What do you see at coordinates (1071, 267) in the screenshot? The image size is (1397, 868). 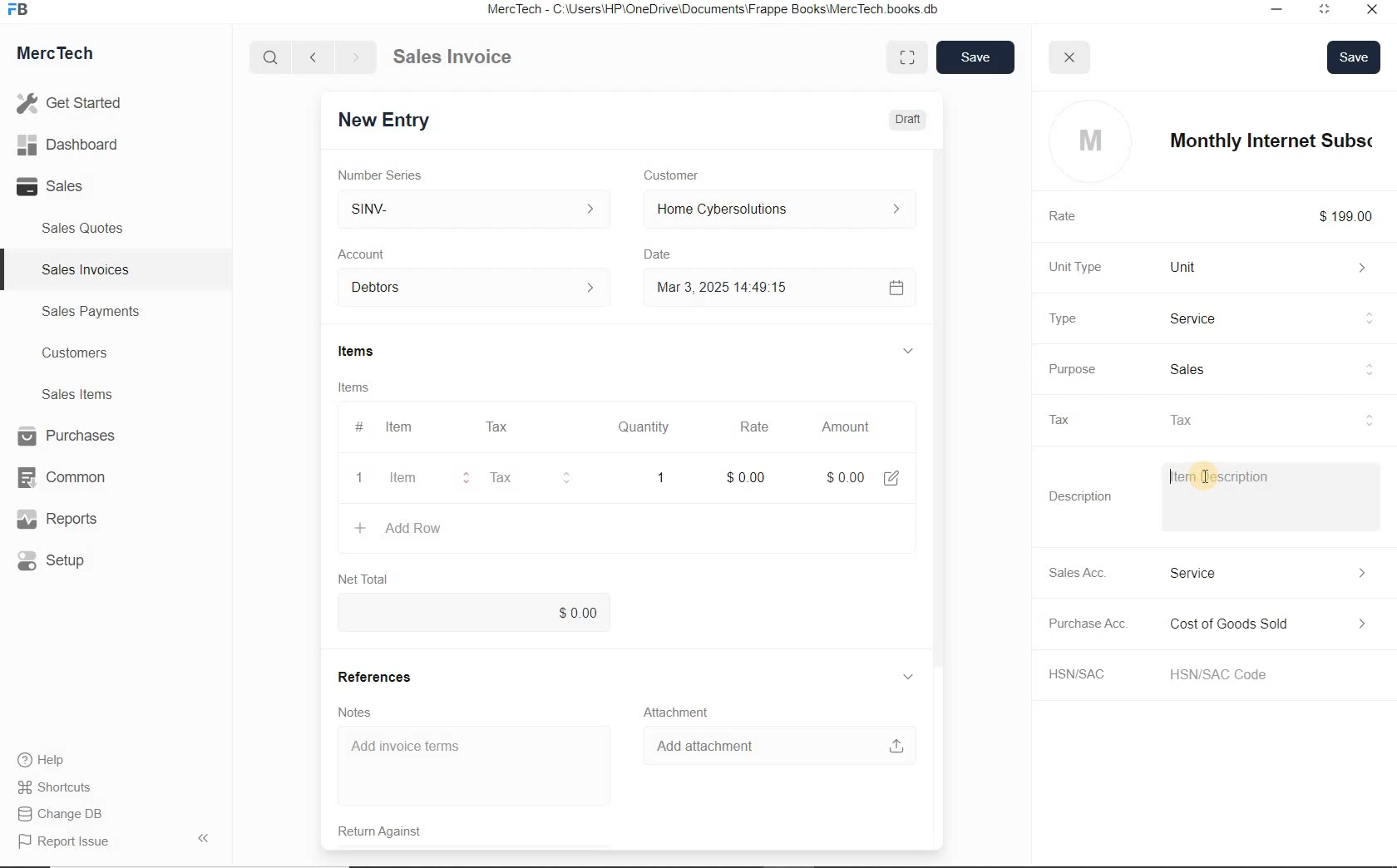 I see `Unit Type` at bounding box center [1071, 267].